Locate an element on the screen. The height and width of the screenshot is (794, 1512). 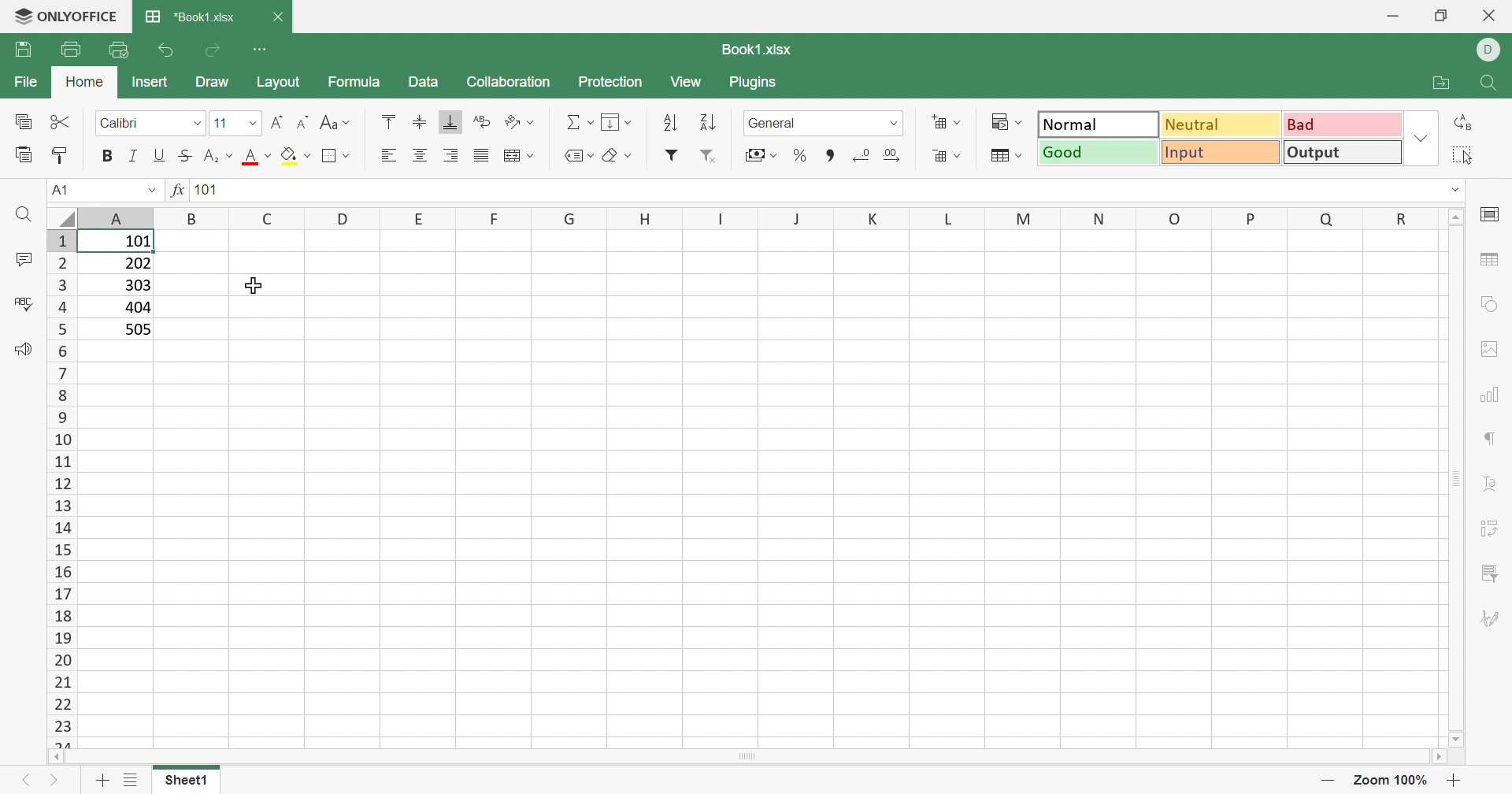
table settings is located at coordinates (1493, 262).